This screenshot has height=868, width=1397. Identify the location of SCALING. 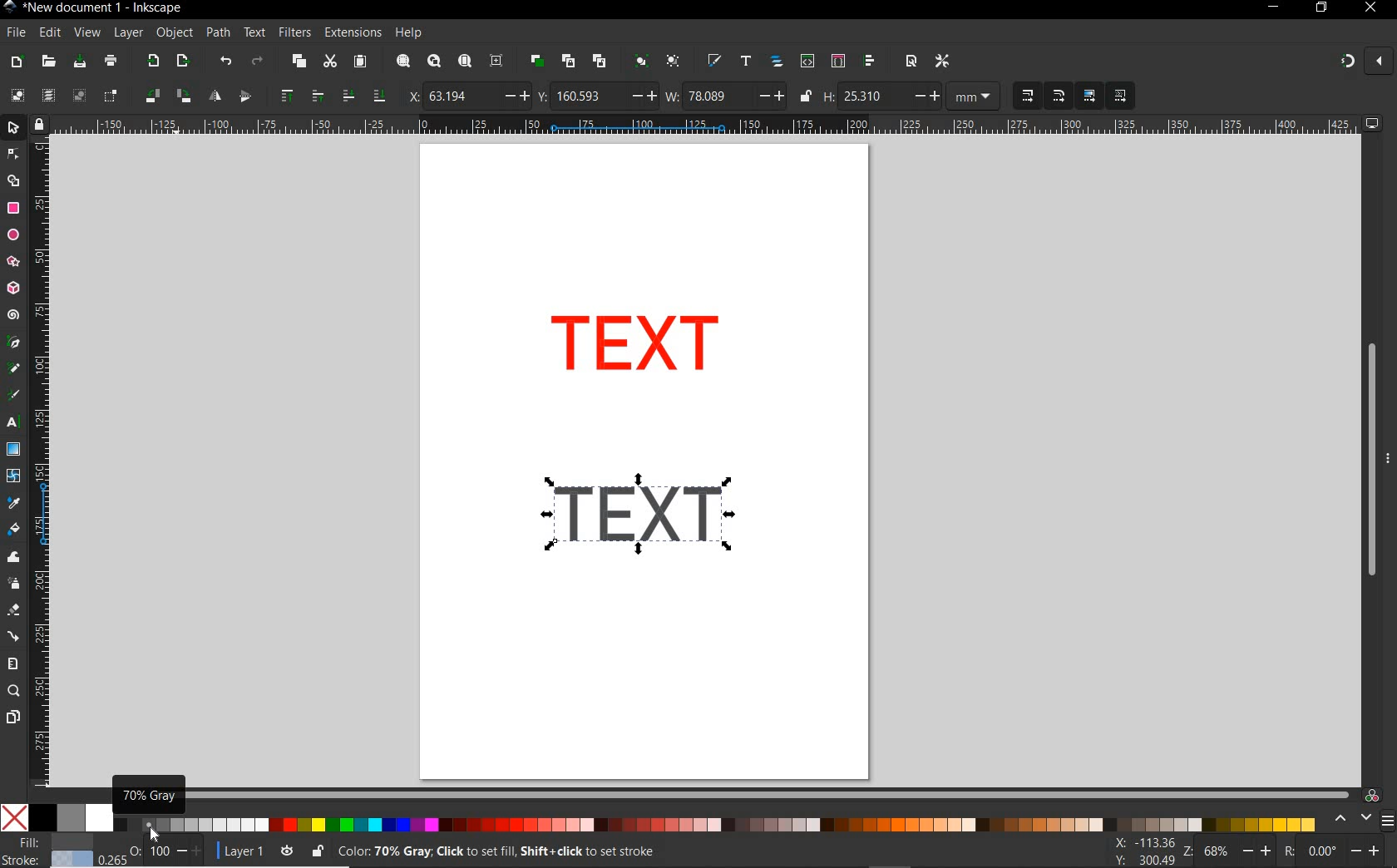
(1043, 96).